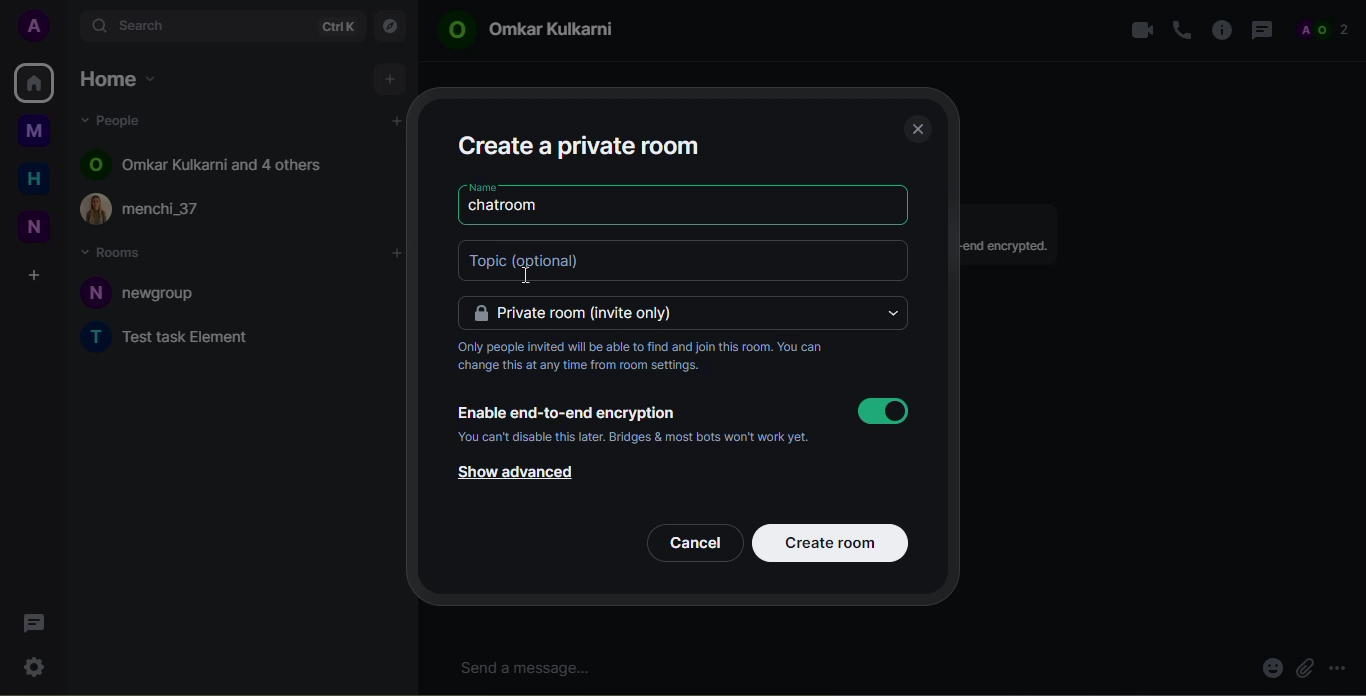  Describe the element at coordinates (34, 228) in the screenshot. I see `new` at that location.